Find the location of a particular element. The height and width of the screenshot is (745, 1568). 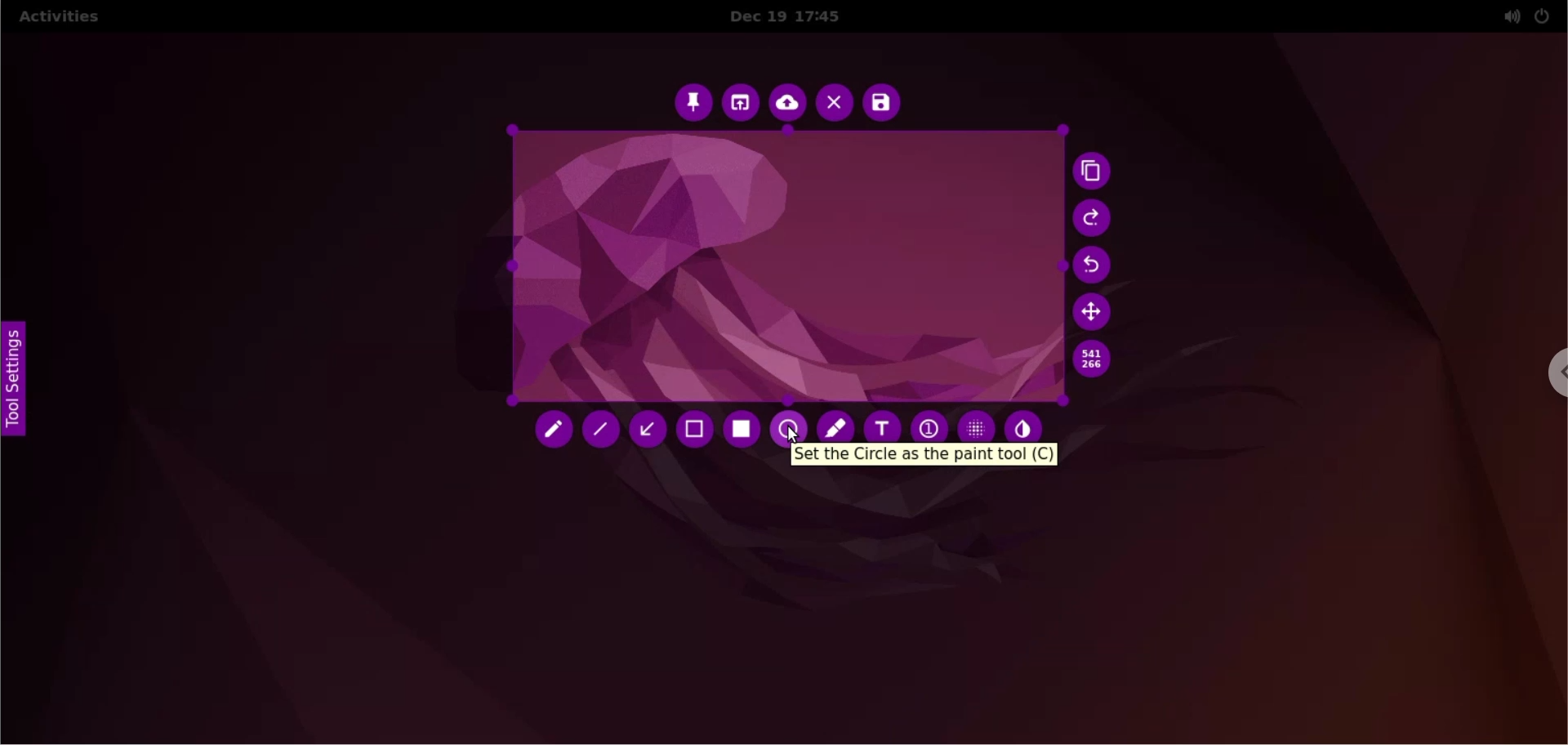

inverter tool is located at coordinates (1028, 424).